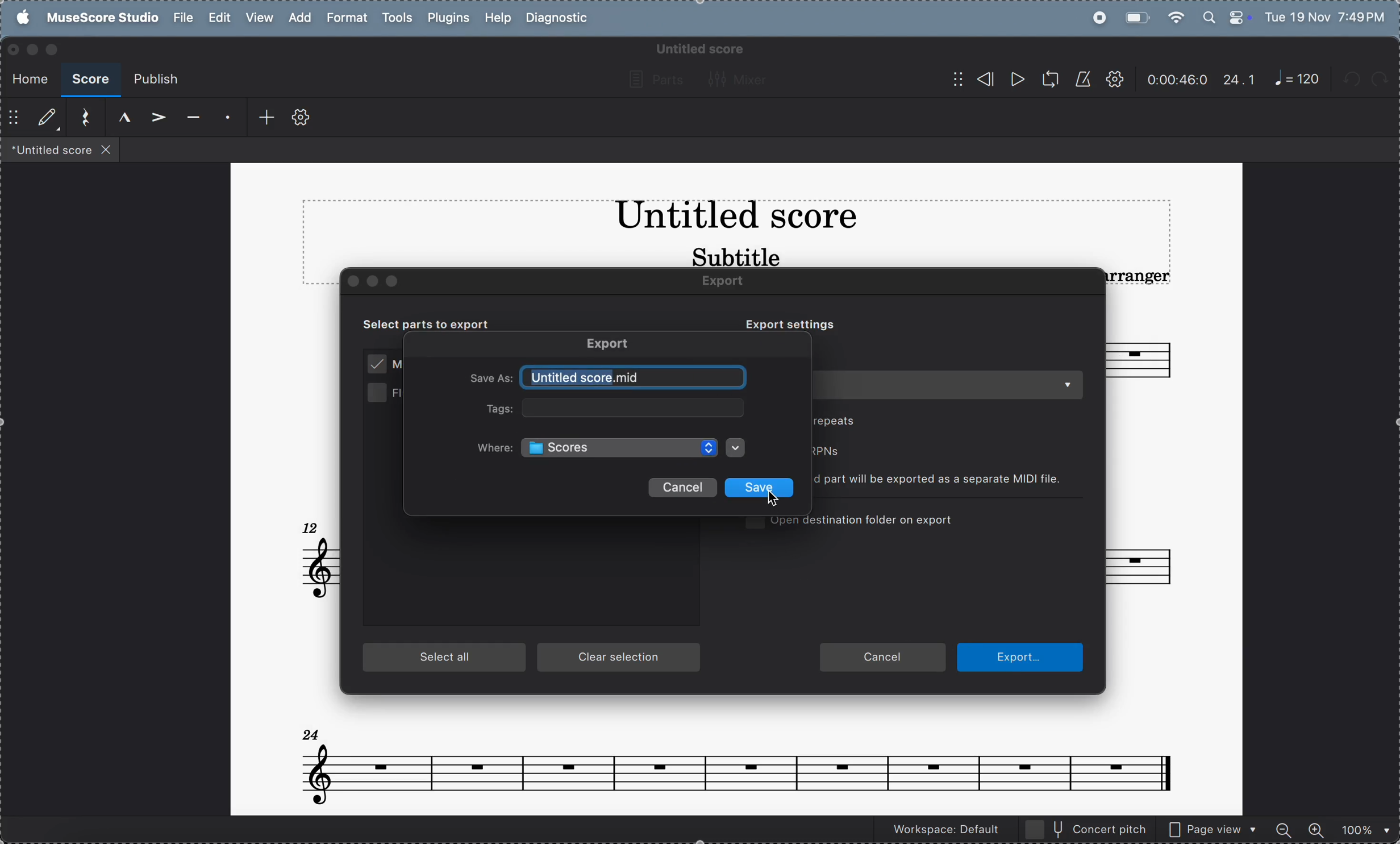 This screenshot has height=844, width=1400. I want to click on tenuto, so click(190, 119).